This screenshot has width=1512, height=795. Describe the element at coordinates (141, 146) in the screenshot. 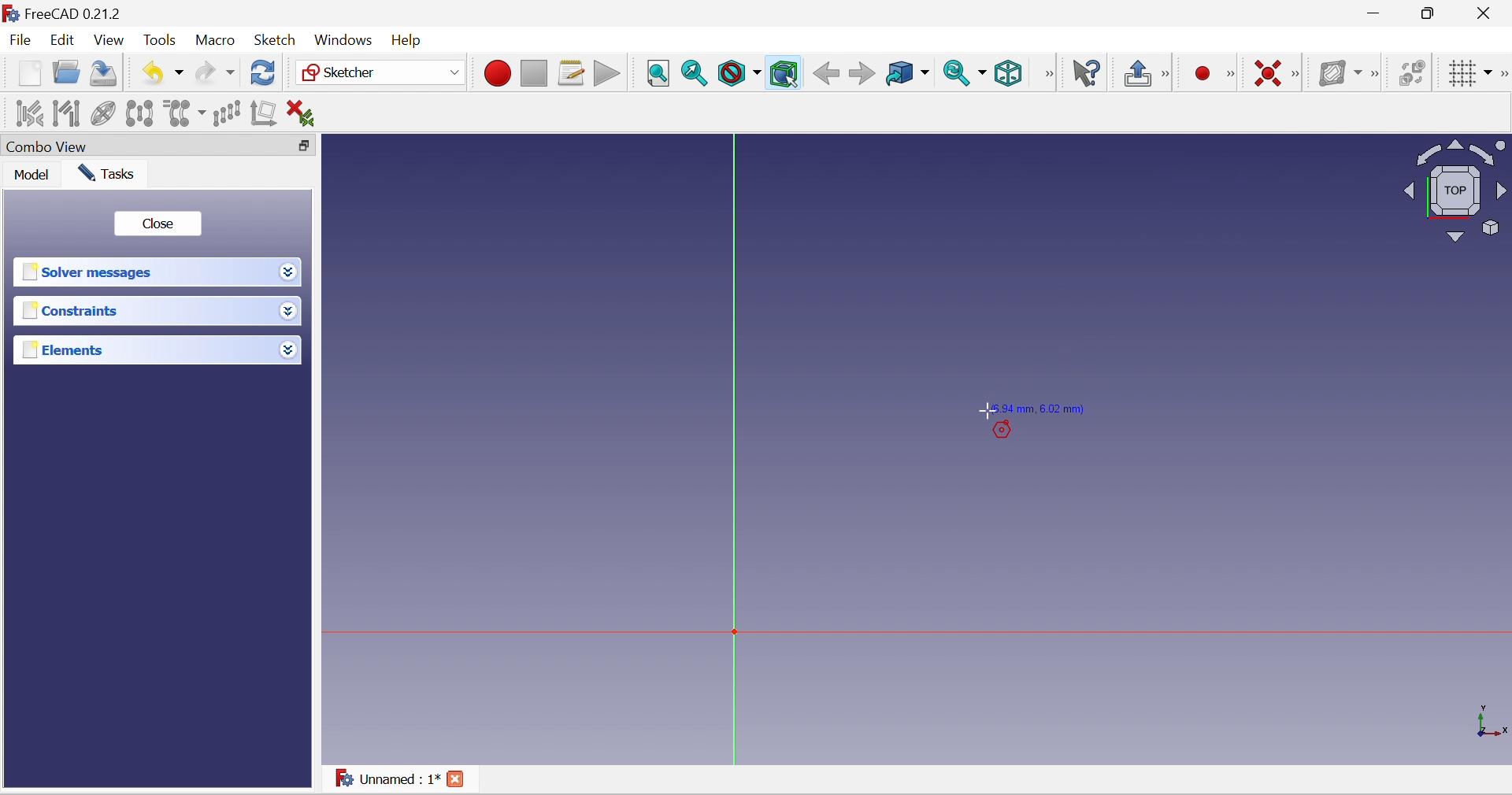

I see `Combo View` at that location.